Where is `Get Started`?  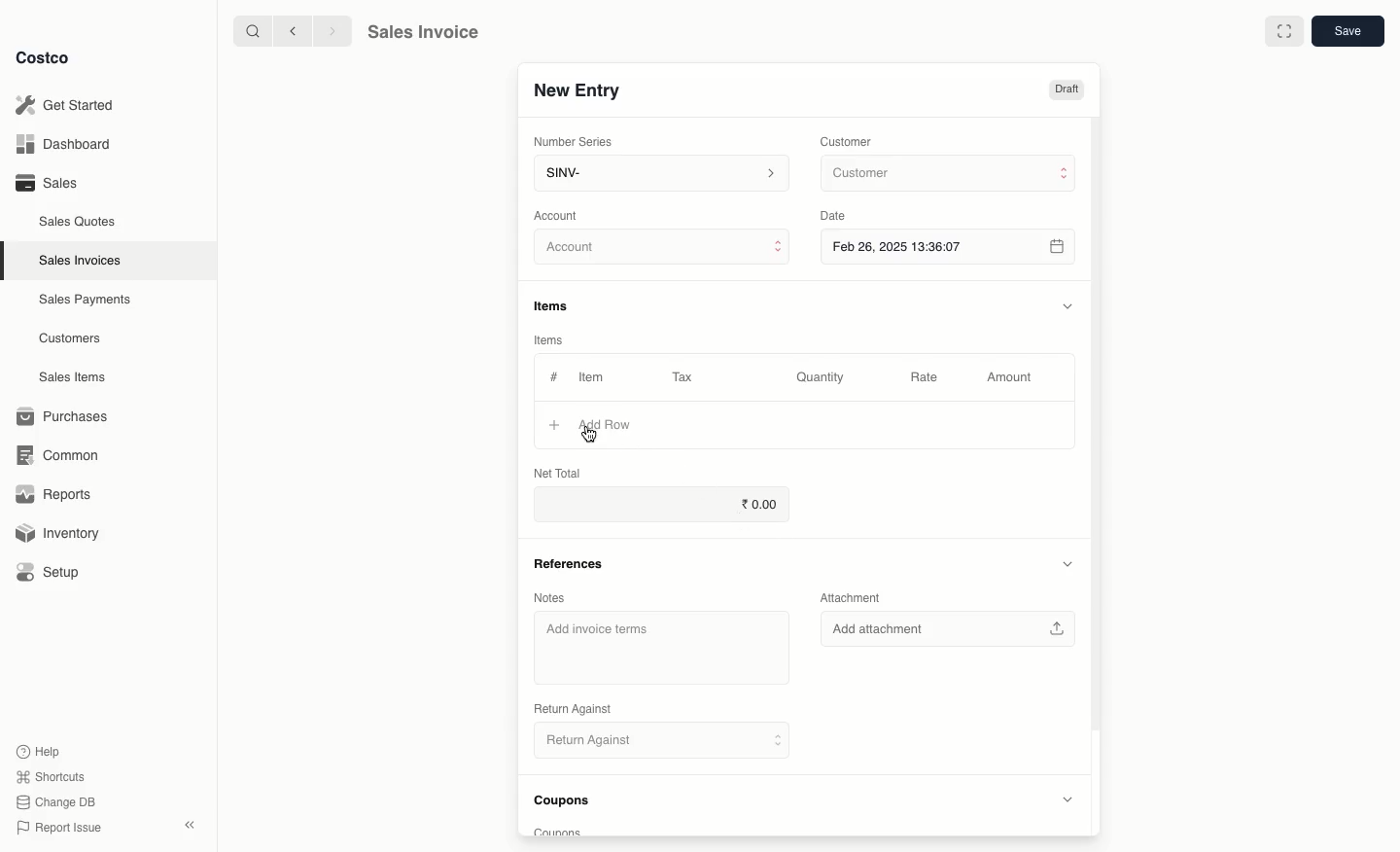 Get Started is located at coordinates (64, 104).